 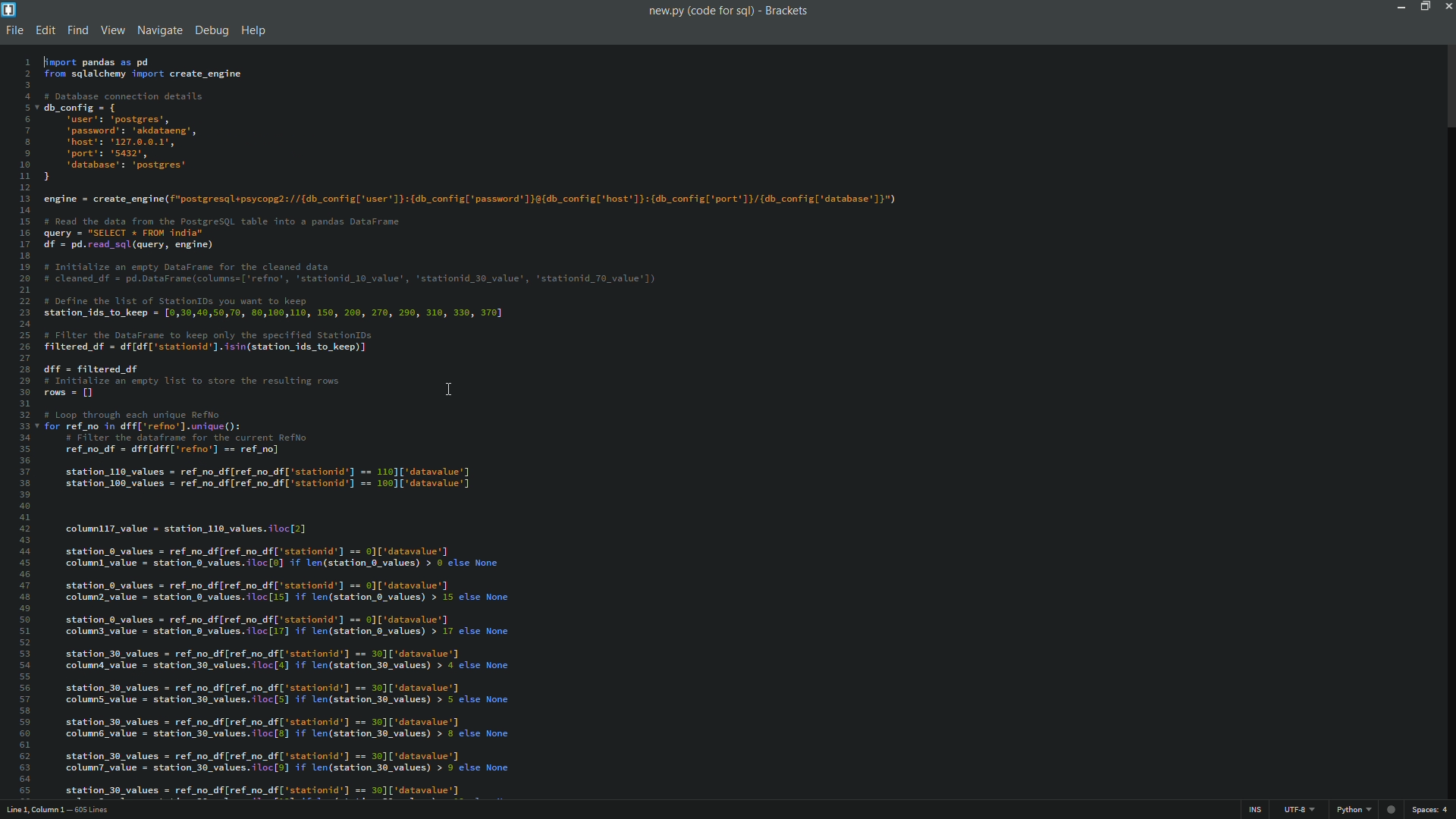 I want to click on ins, so click(x=1257, y=810).